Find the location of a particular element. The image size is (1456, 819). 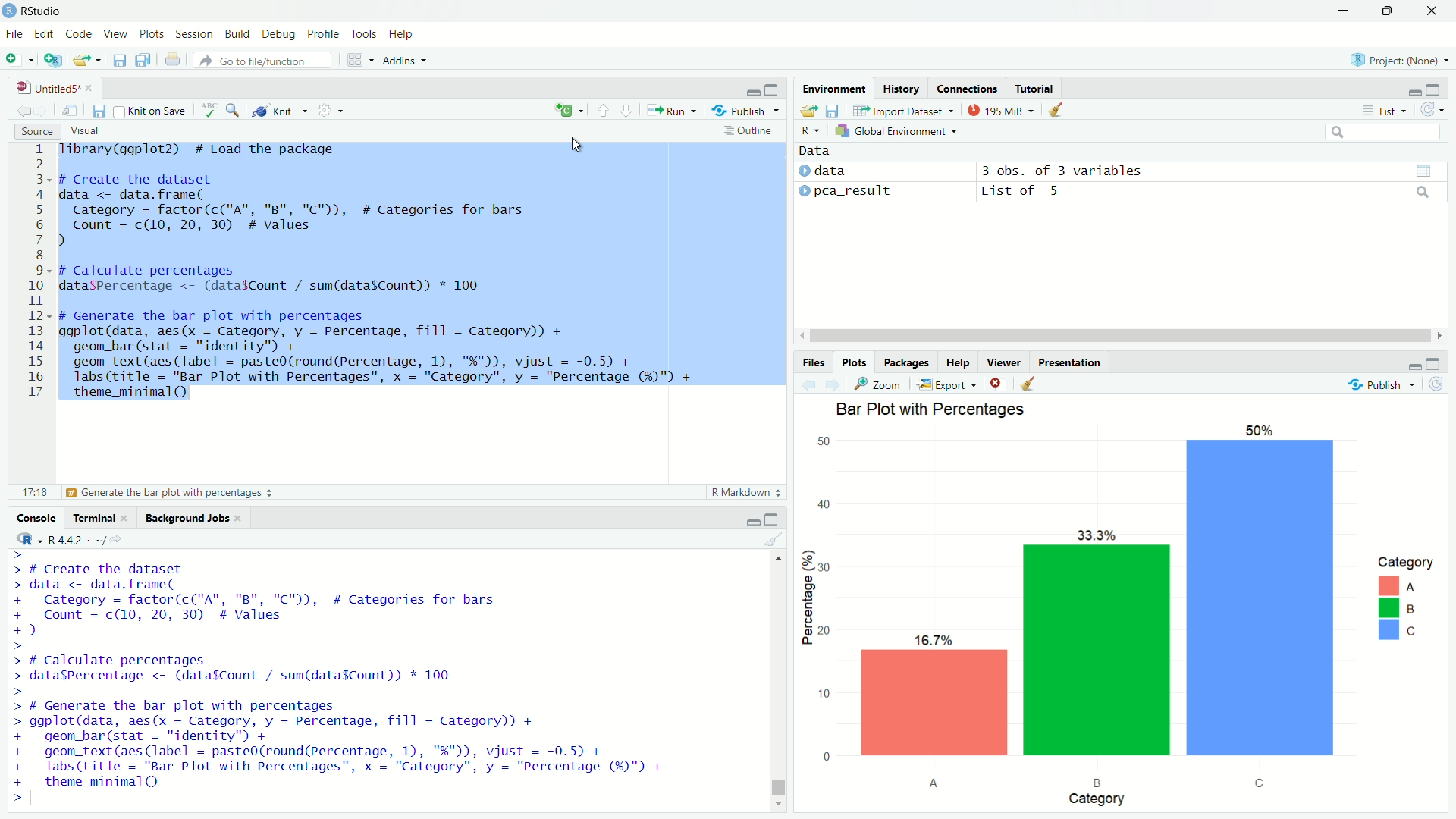

settings is located at coordinates (325, 109).